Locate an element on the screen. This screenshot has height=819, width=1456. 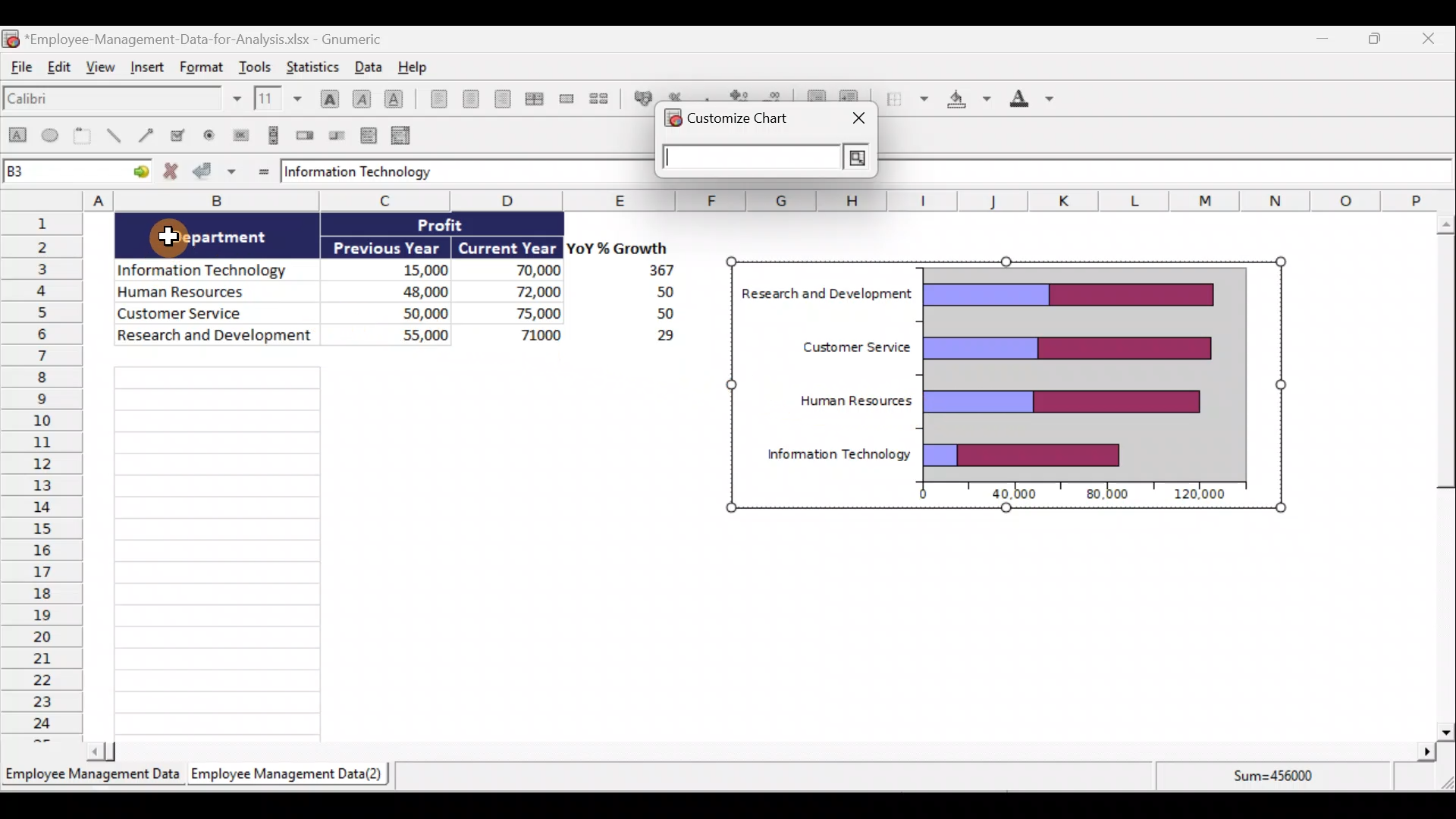
Create a checkbox is located at coordinates (184, 135).